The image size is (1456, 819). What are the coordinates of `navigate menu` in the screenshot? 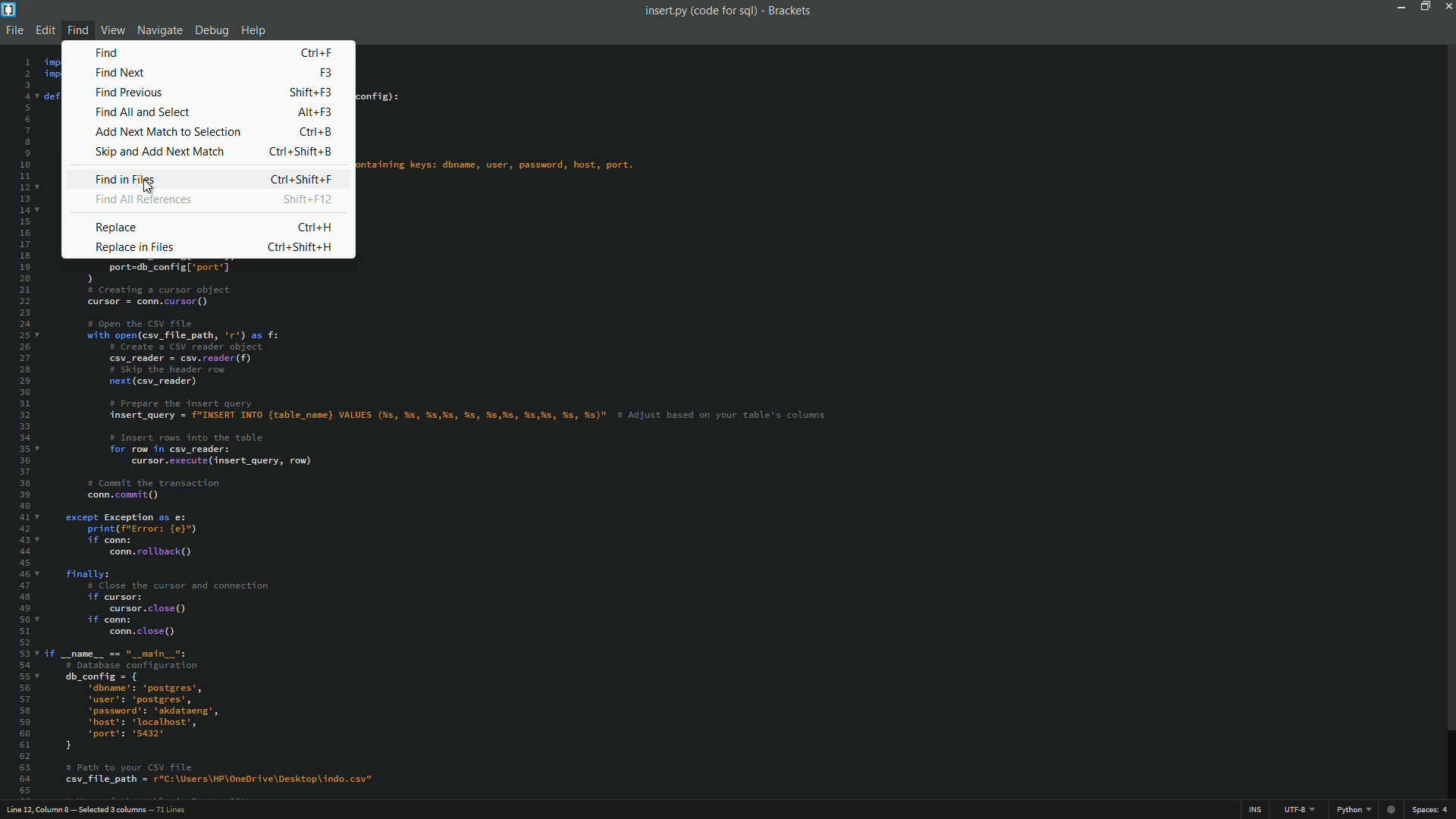 It's located at (158, 32).